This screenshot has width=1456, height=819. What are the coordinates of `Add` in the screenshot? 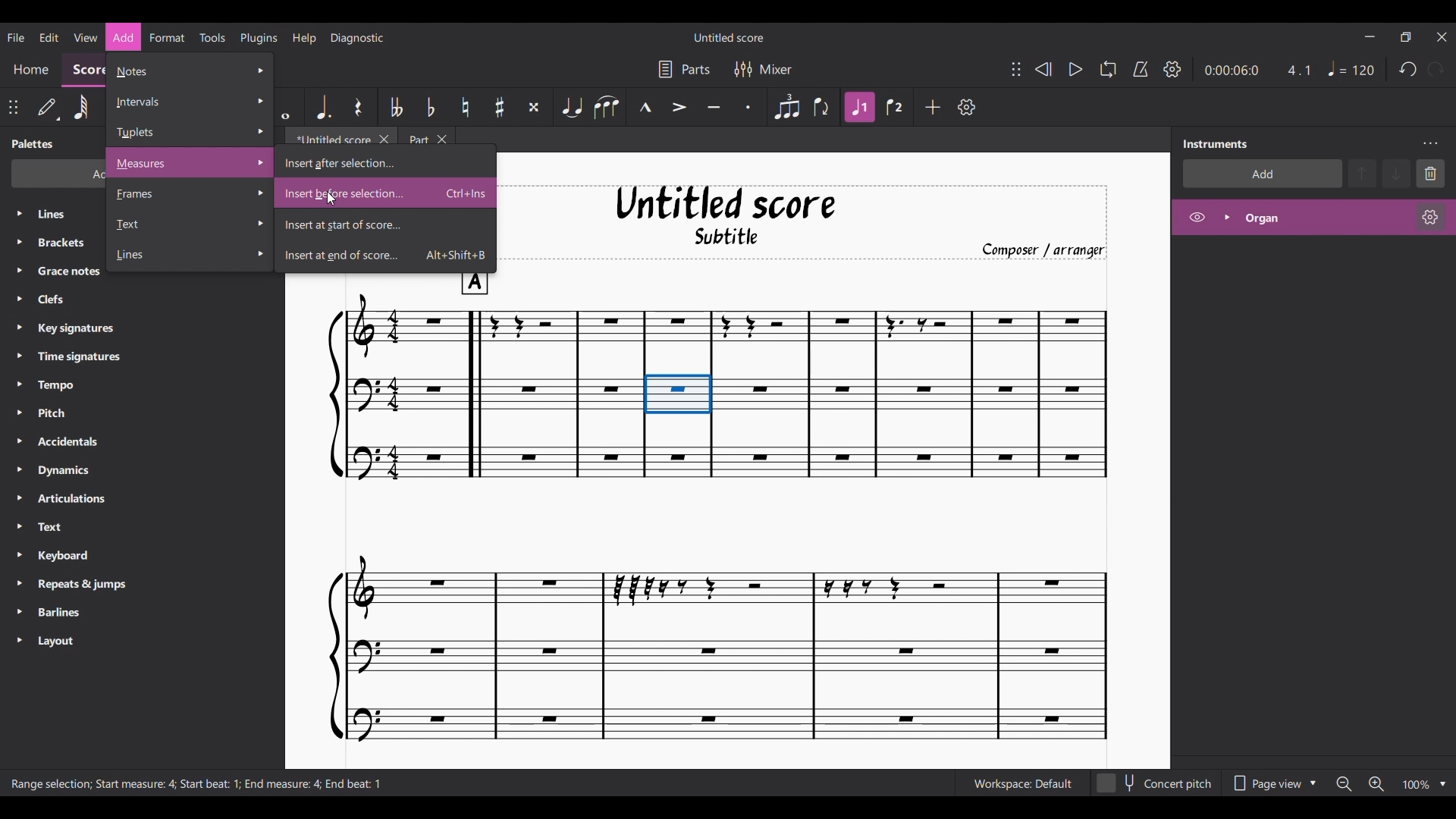 It's located at (933, 107).